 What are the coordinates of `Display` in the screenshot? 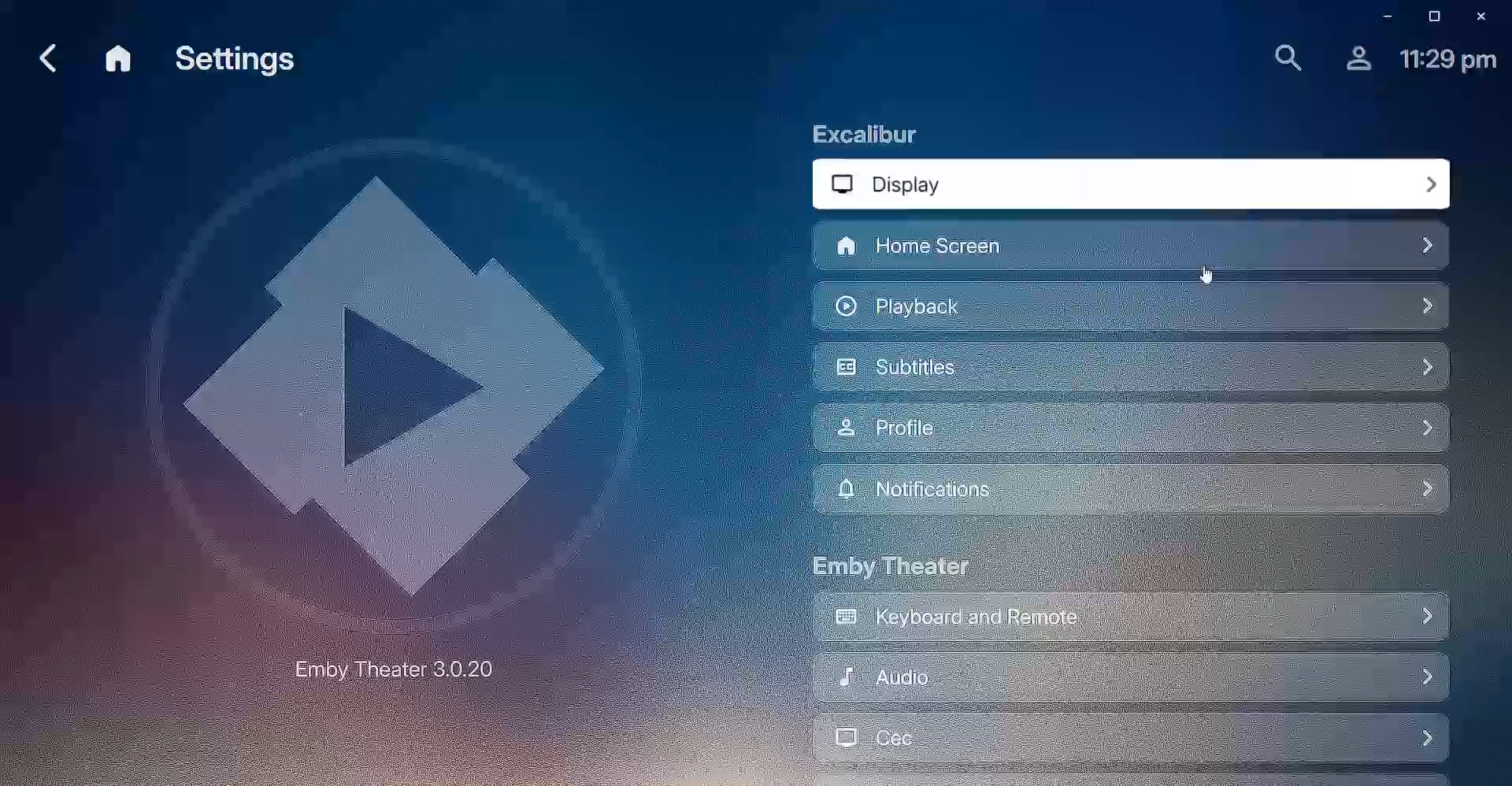 It's located at (1133, 187).